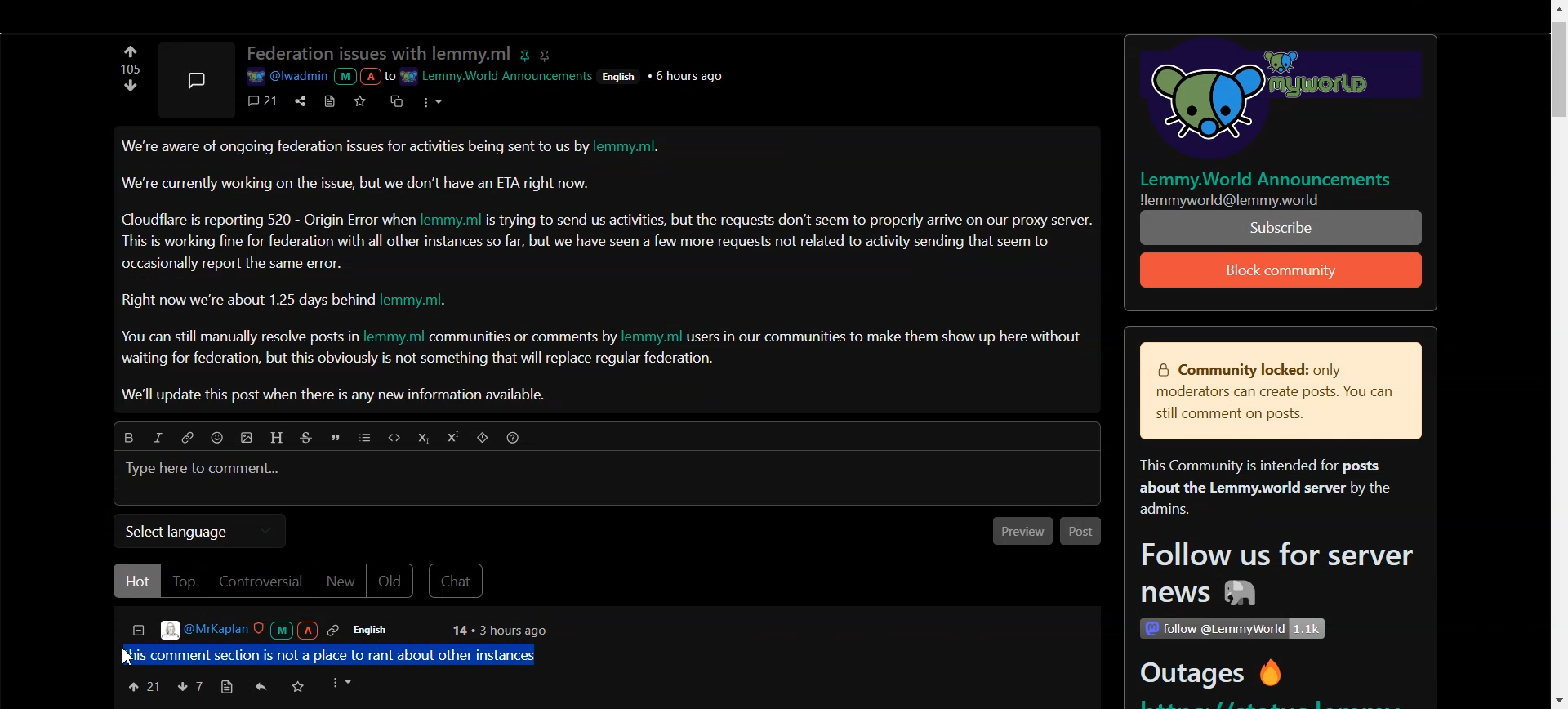 The width and height of the screenshot is (1568, 709). Describe the element at coordinates (381, 630) in the screenshot. I see `English` at that location.